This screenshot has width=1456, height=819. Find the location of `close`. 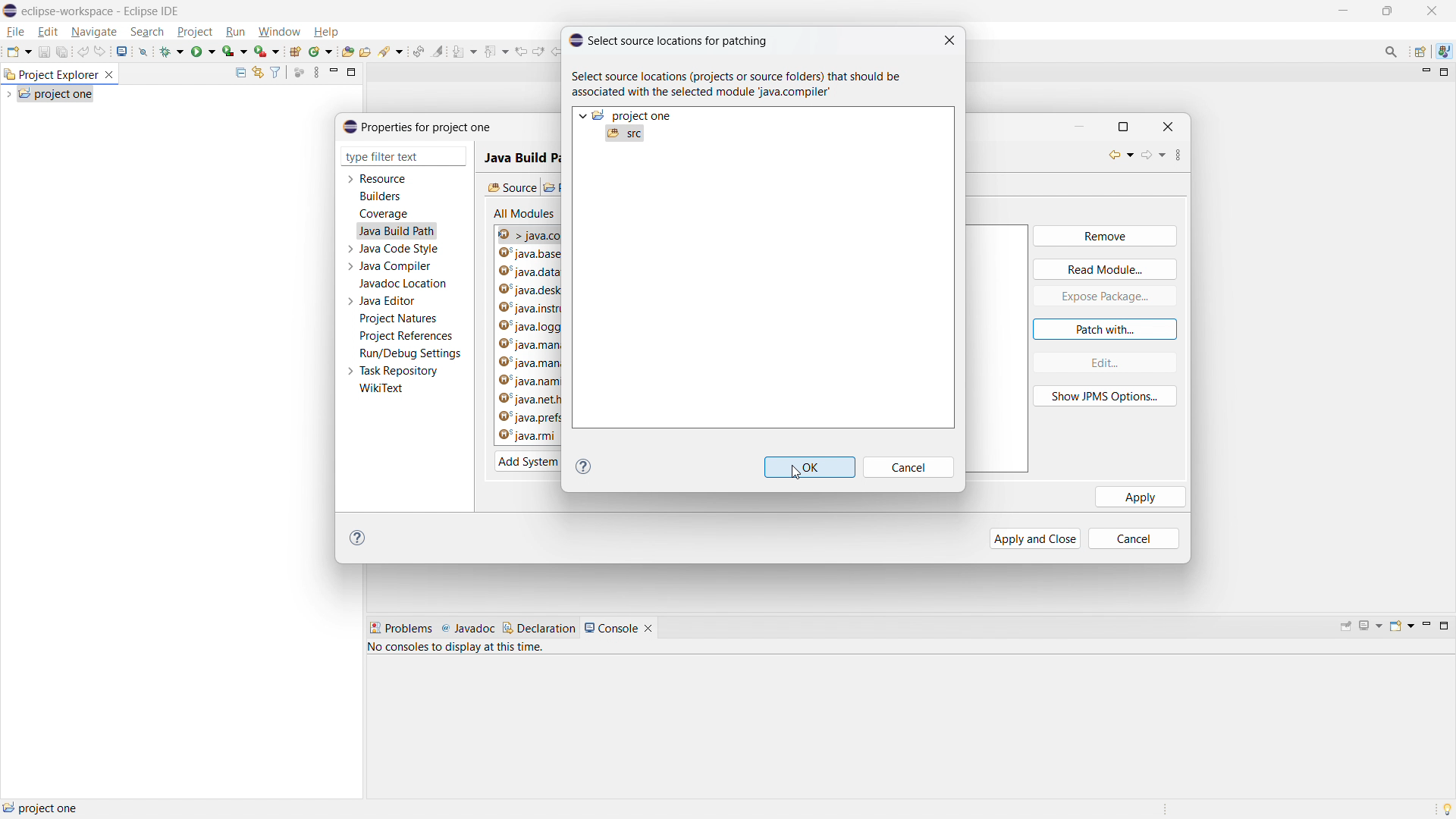

close is located at coordinates (1432, 11).